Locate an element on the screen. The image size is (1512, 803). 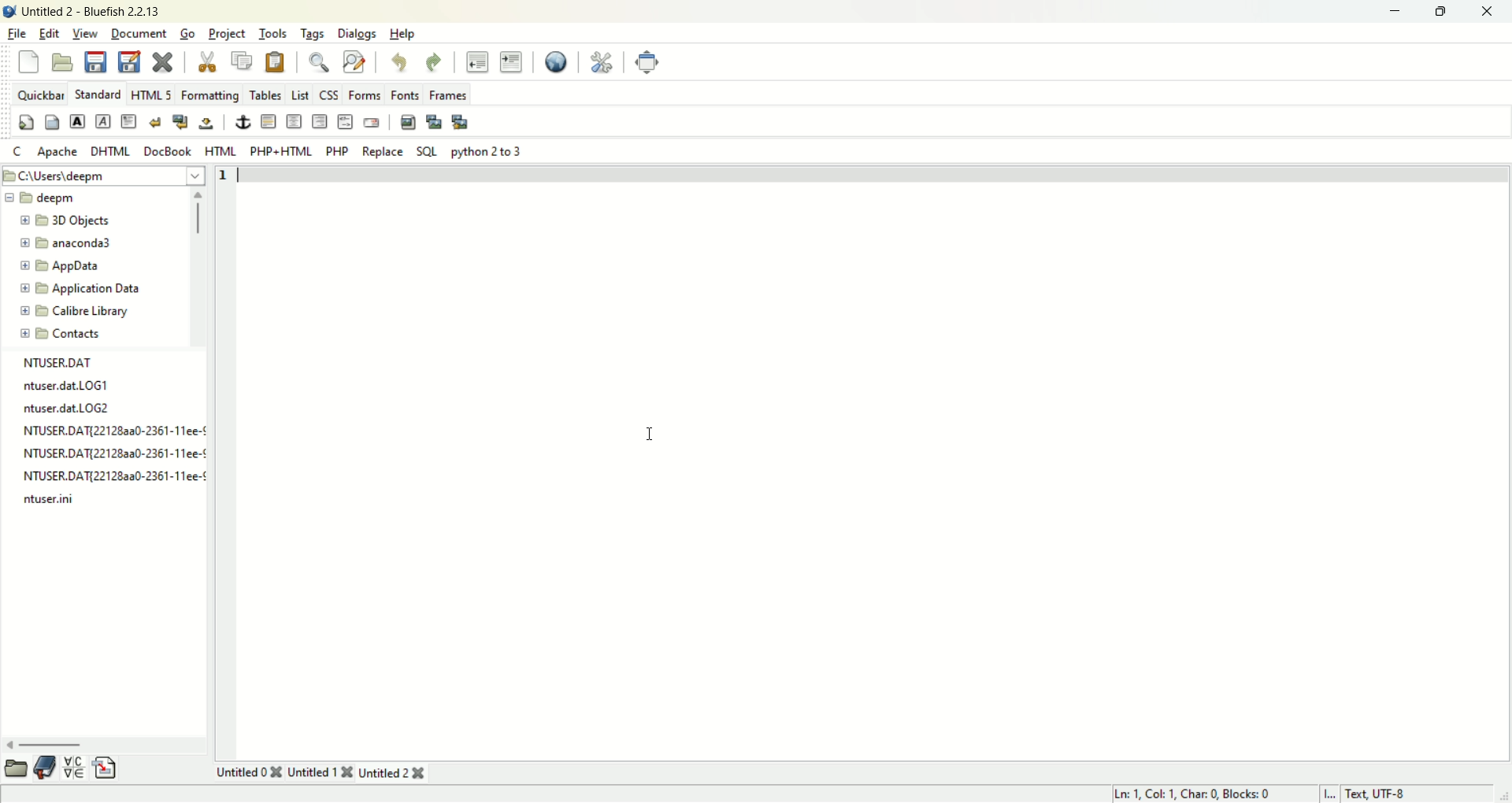
new is located at coordinates (30, 63).